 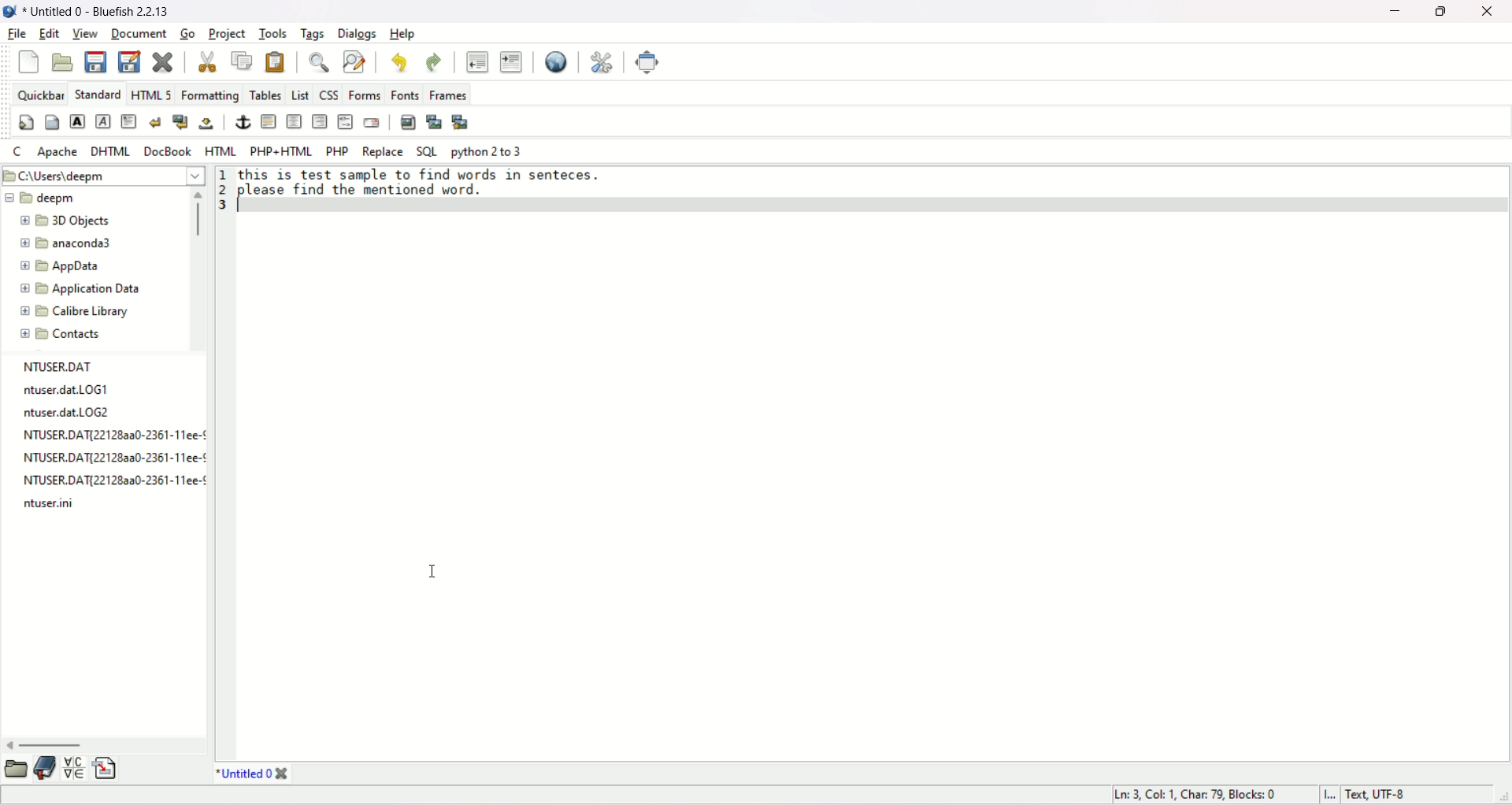 What do you see at coordinates (343, 123) in the screenshot?
I see `HTML COMMENT` at bounding box center [343, 123].